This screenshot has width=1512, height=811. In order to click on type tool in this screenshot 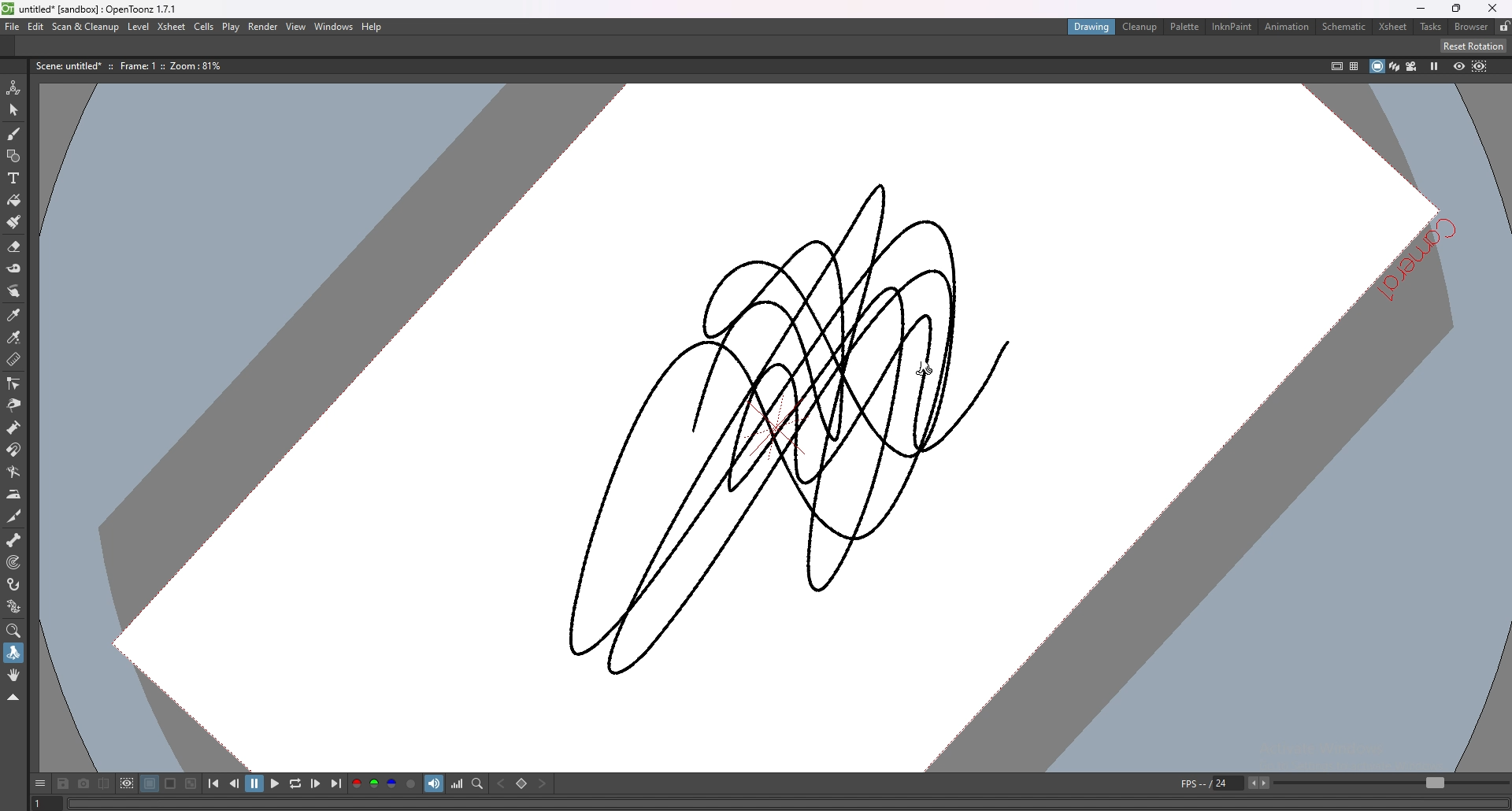, I will do `click(13, 177)`.